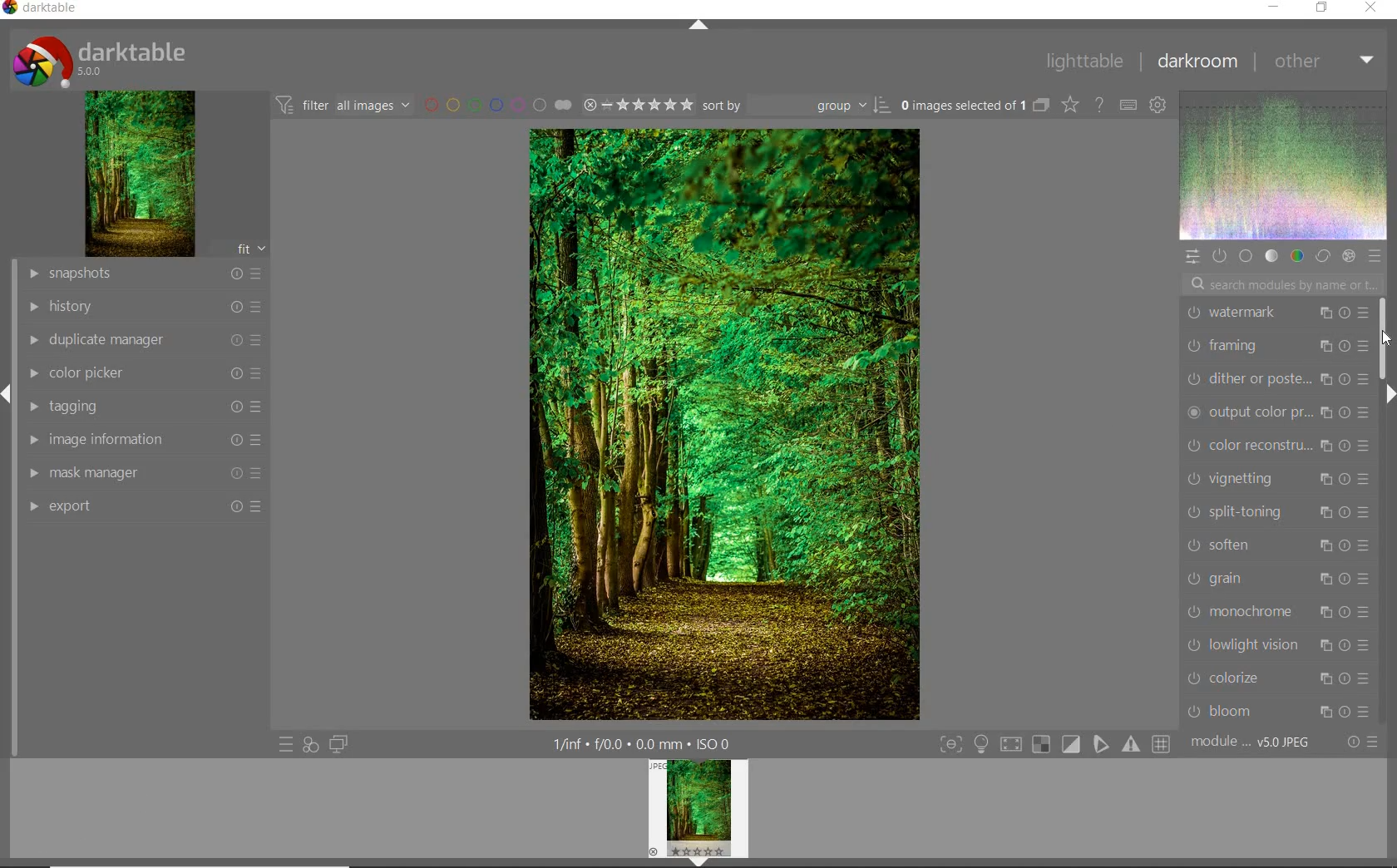  What do you see at coordinates (1252, 742) in the screenshot?
I see `MODULE ORDER` at bounding box center [1252, 742].